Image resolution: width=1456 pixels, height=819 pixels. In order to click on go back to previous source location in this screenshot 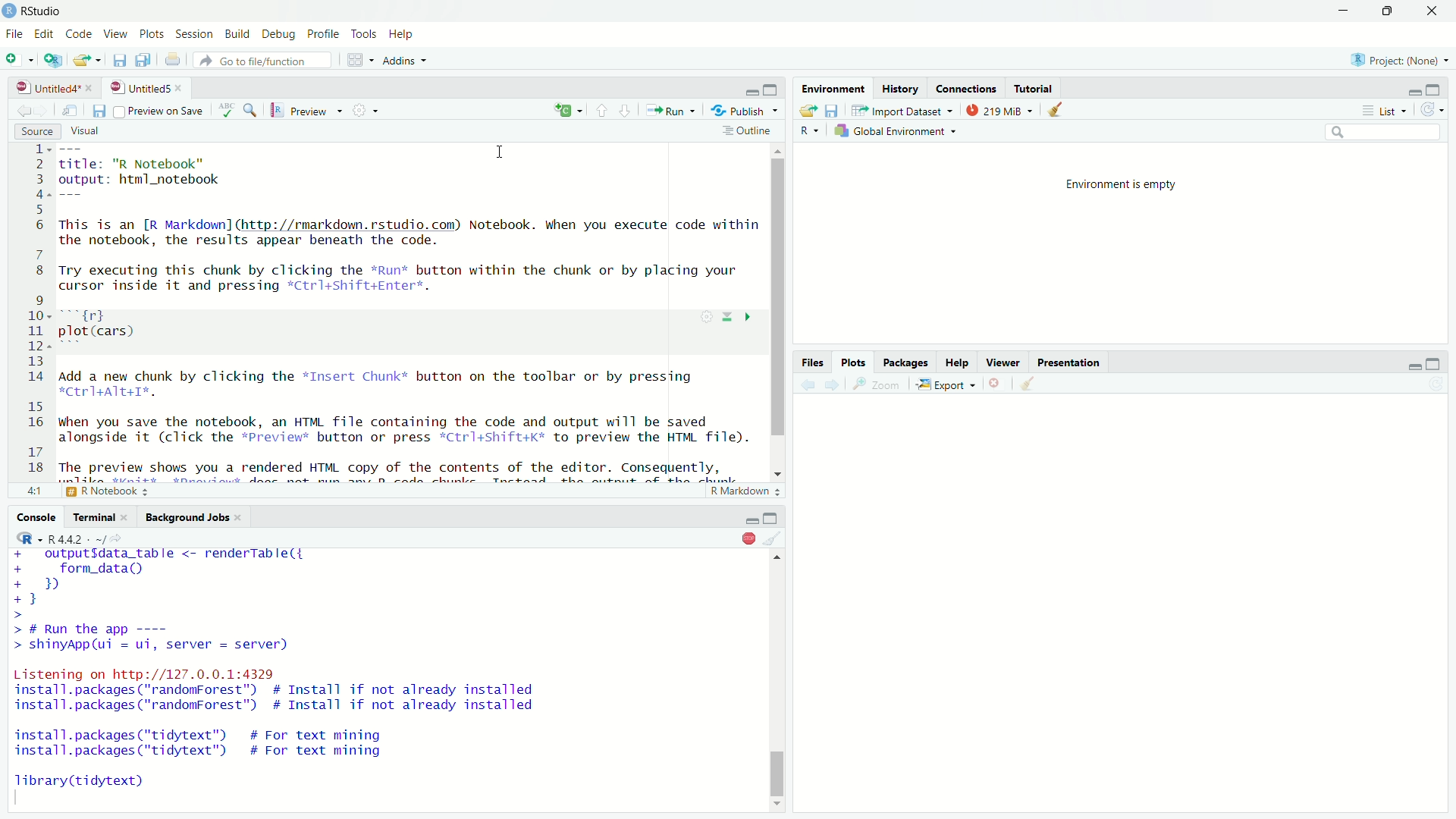, I will do `click(24, 108)`.